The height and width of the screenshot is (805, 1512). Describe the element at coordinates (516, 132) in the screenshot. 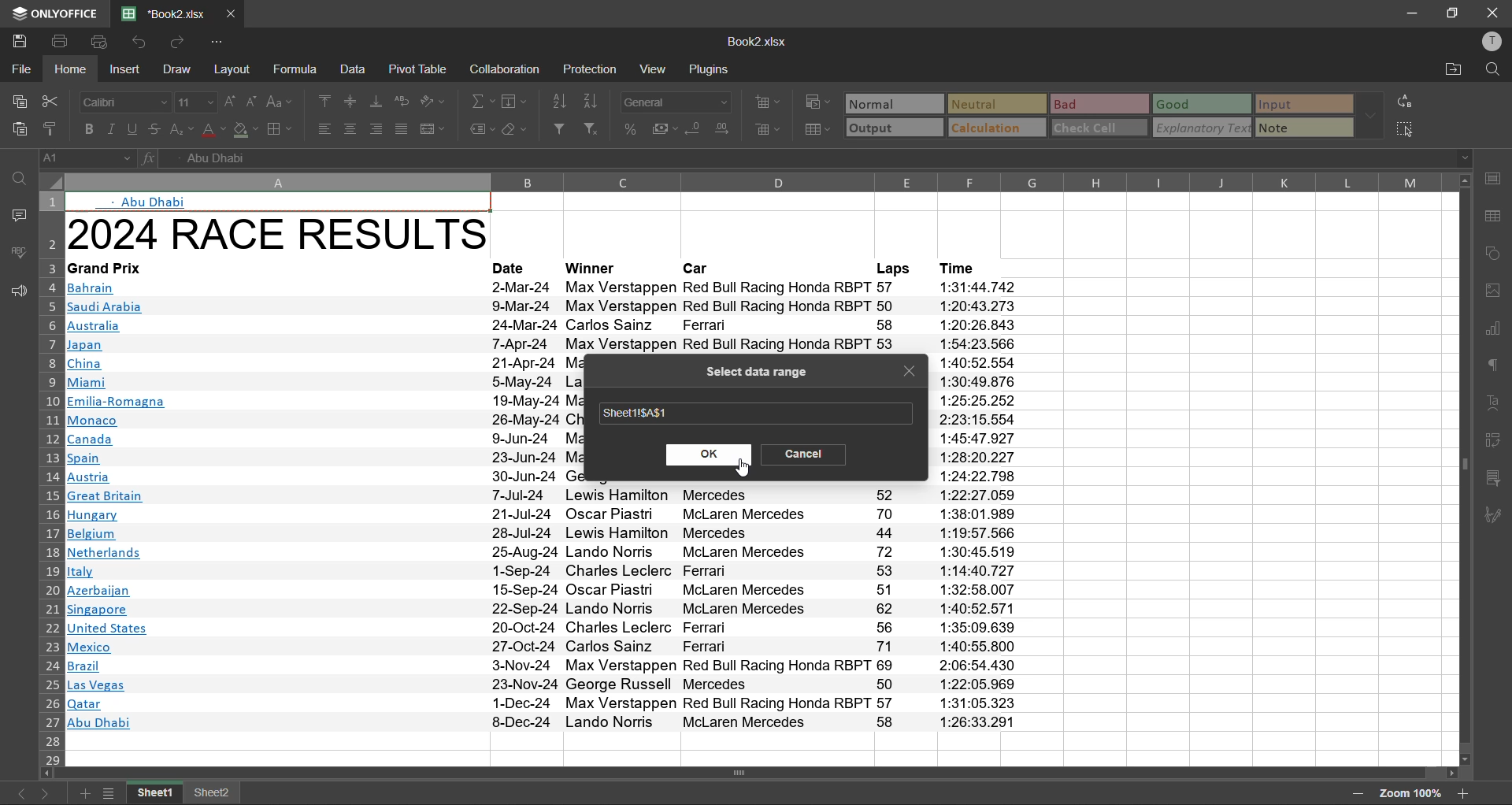

I see `clear` at that location.